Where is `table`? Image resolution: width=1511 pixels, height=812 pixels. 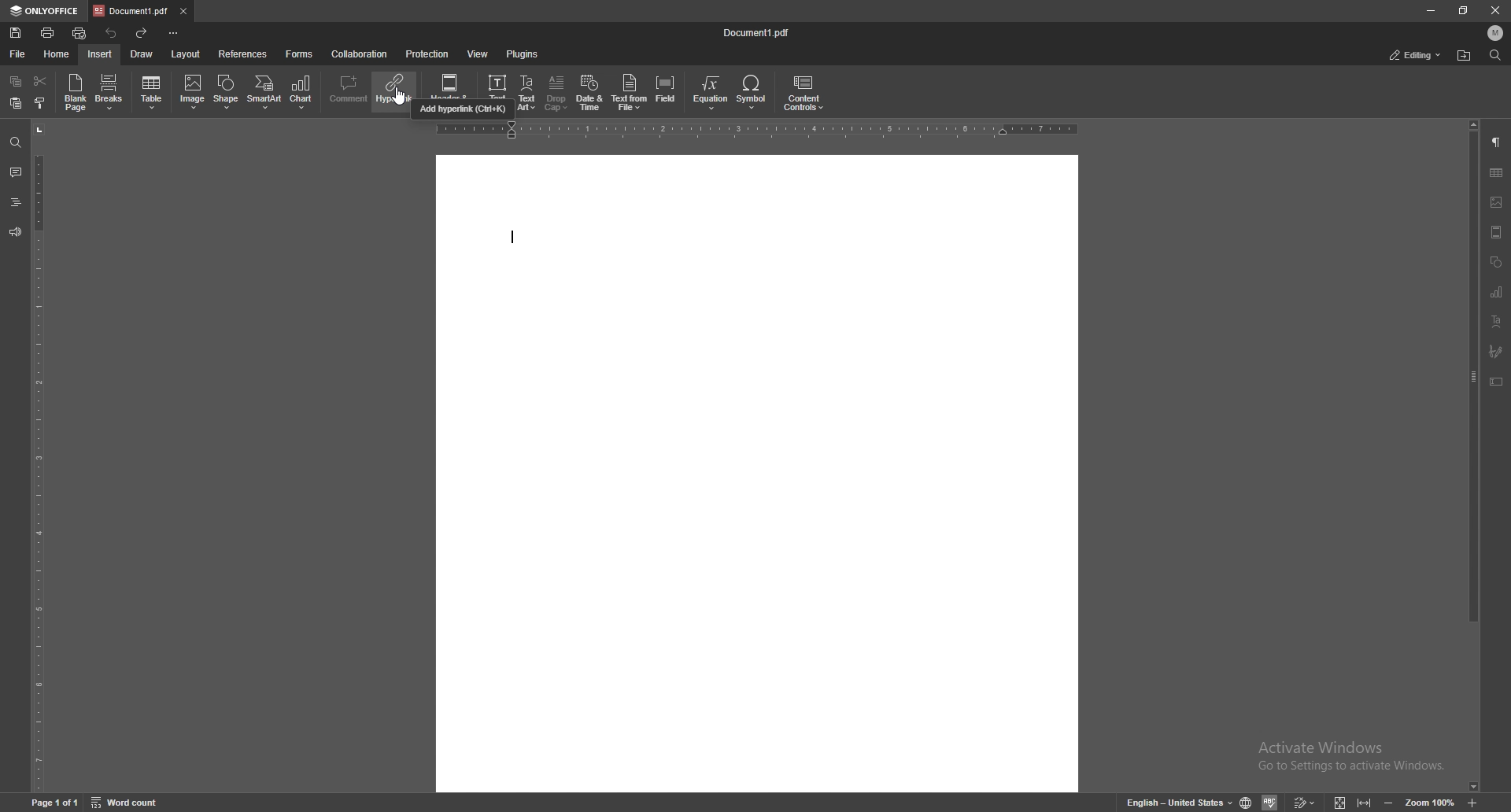
table is located at coordinates (1496, 172).